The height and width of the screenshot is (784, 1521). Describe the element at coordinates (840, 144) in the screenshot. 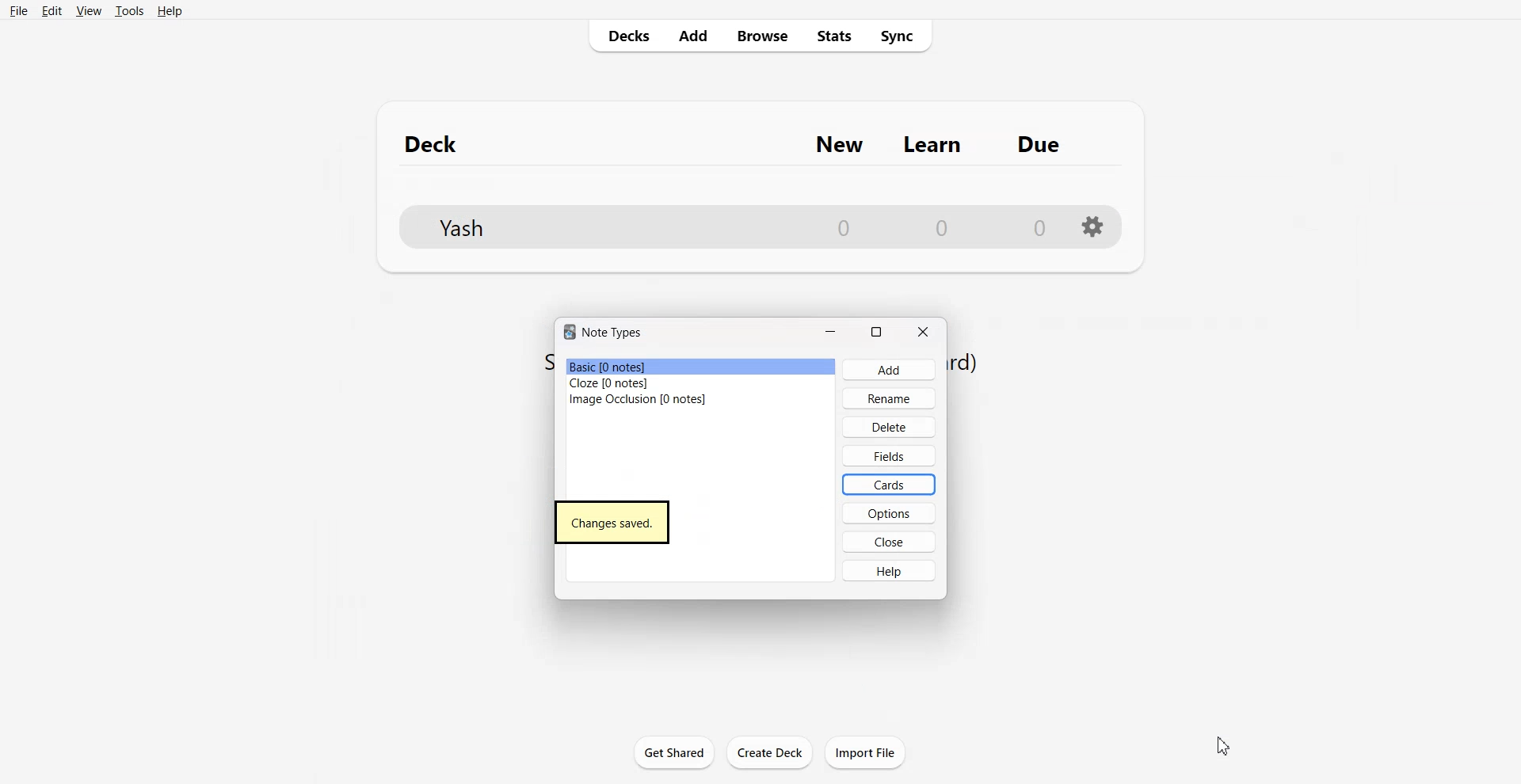

I see `New` at that location.